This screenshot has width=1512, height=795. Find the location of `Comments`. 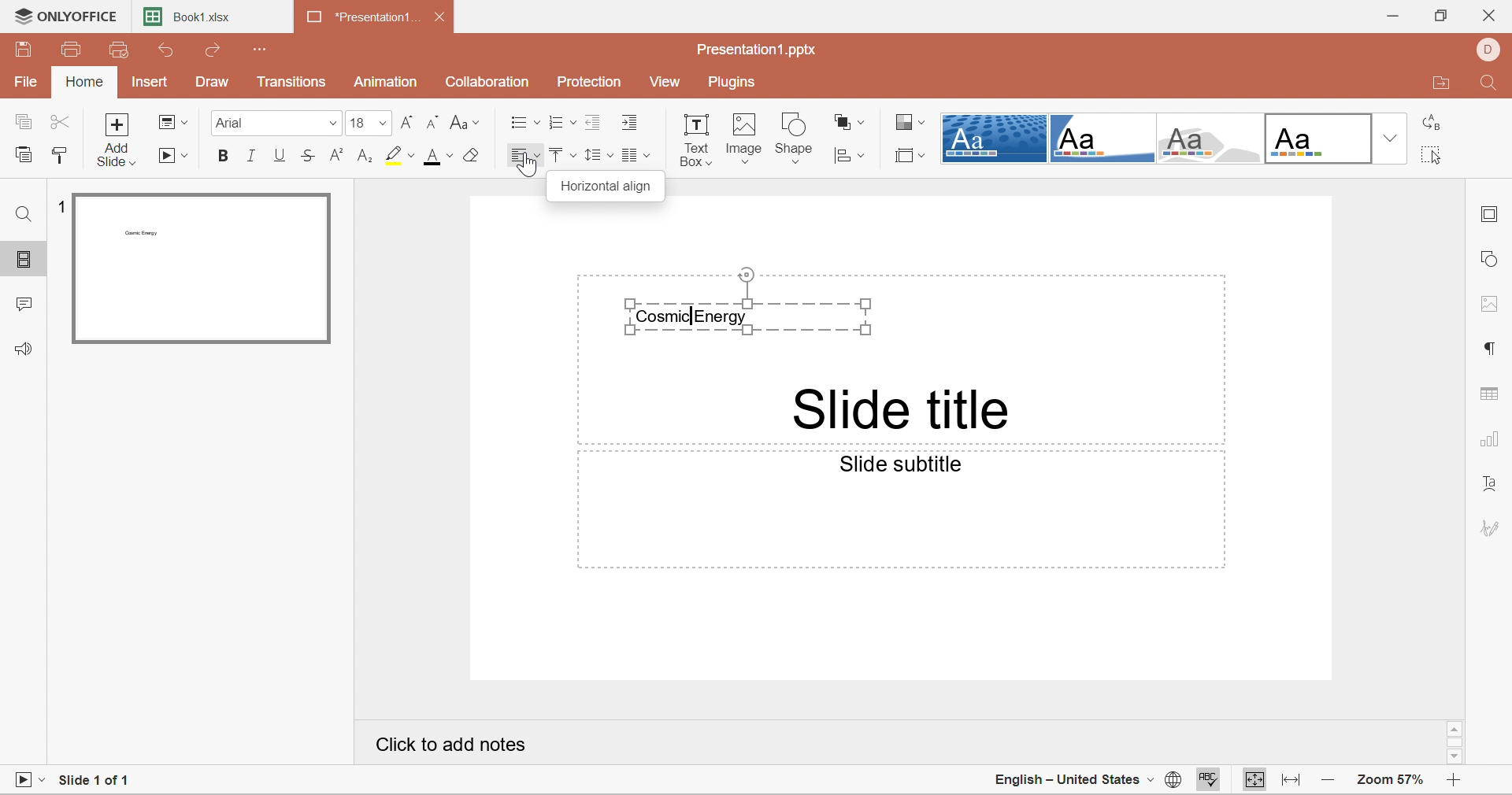

Comments is located at coordinates (23, 307).